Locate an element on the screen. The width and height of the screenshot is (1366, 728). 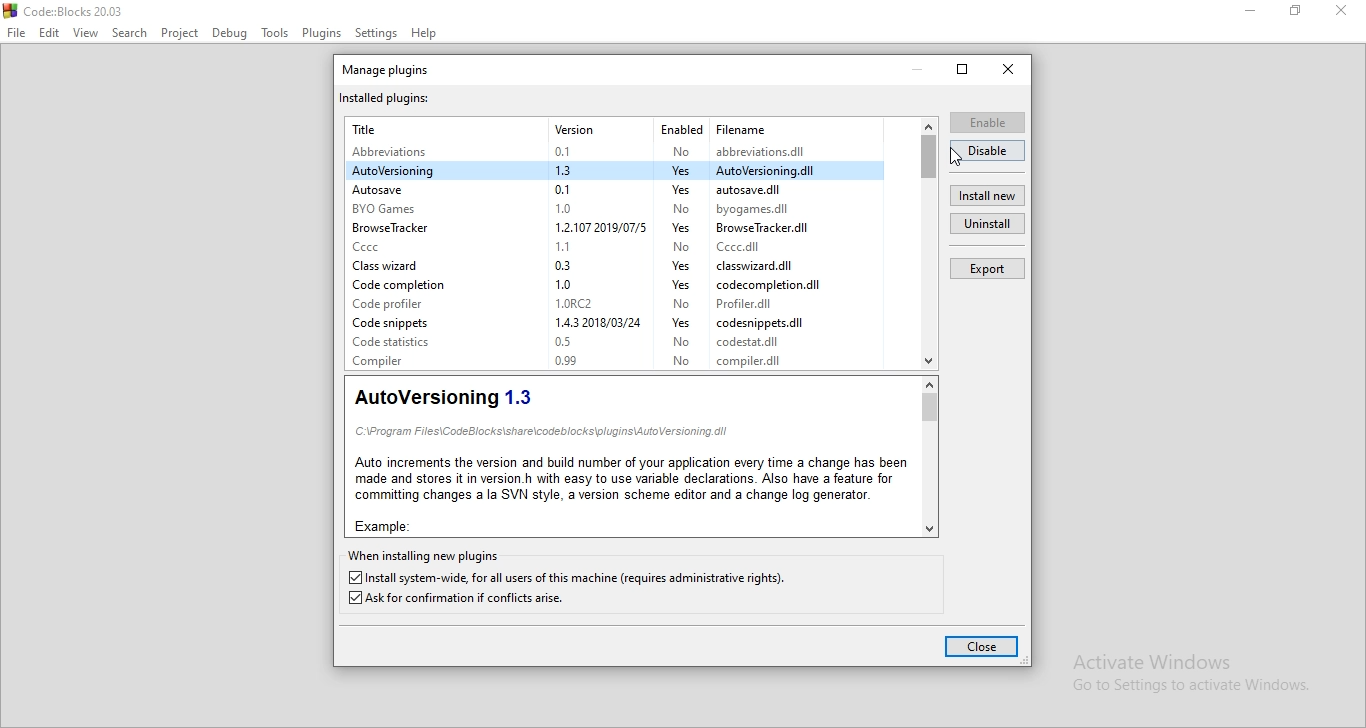
when installing new plugins is located at coordinates (428, 556).